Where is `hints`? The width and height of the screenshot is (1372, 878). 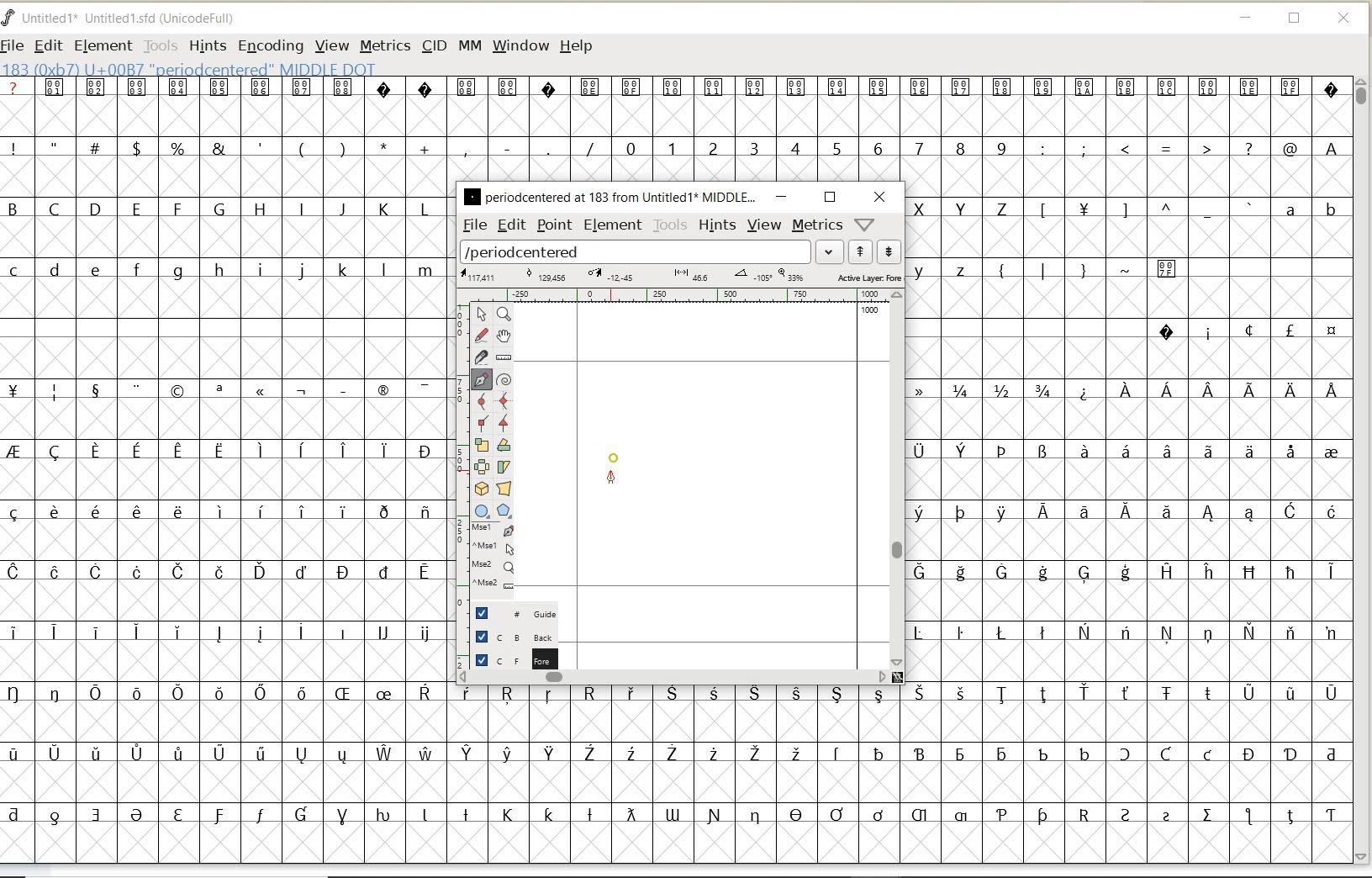 hints is located at coordinates (718, 225).